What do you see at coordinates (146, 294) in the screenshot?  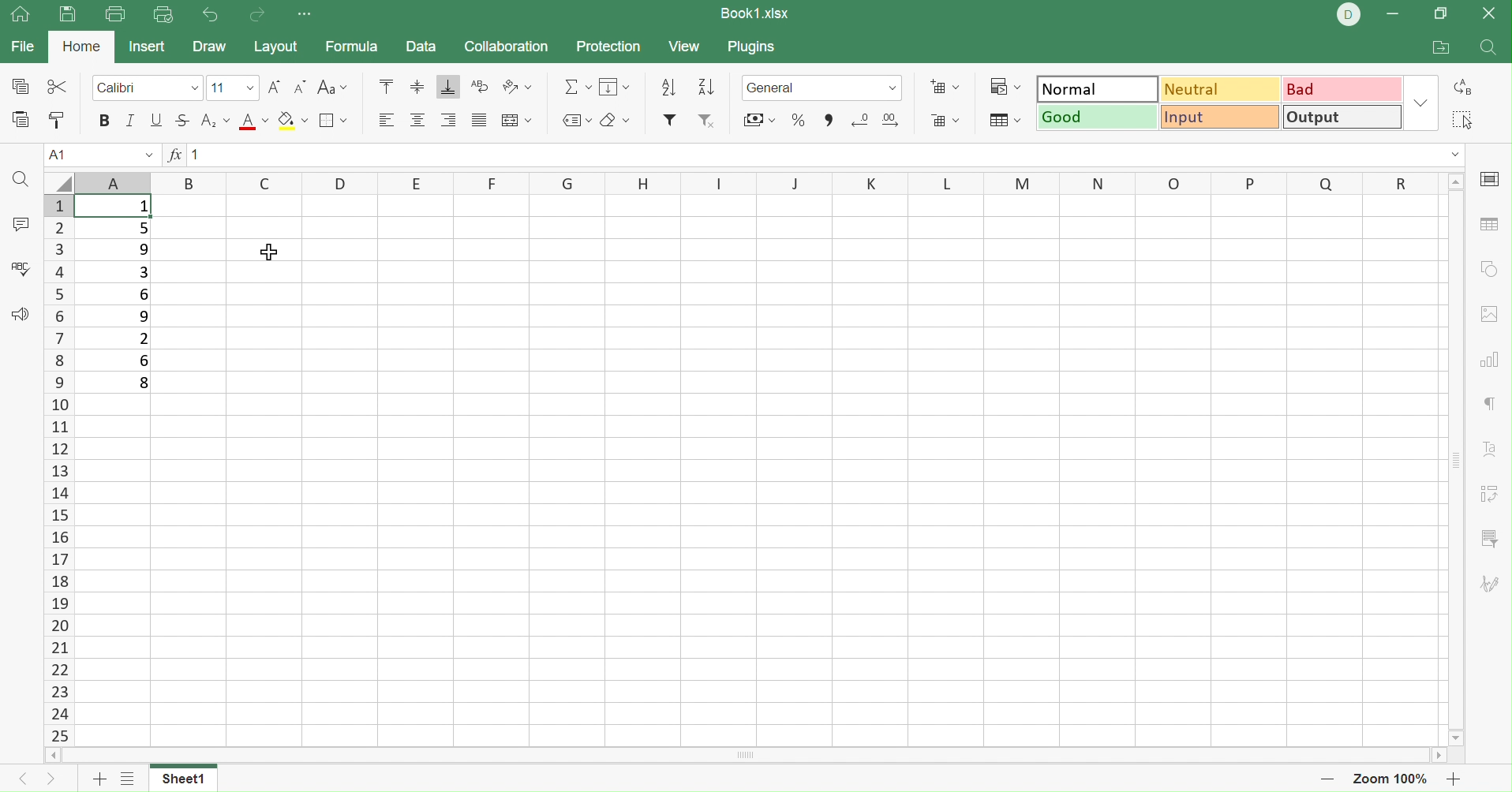 I see `6` at bounding box center [146, 294].